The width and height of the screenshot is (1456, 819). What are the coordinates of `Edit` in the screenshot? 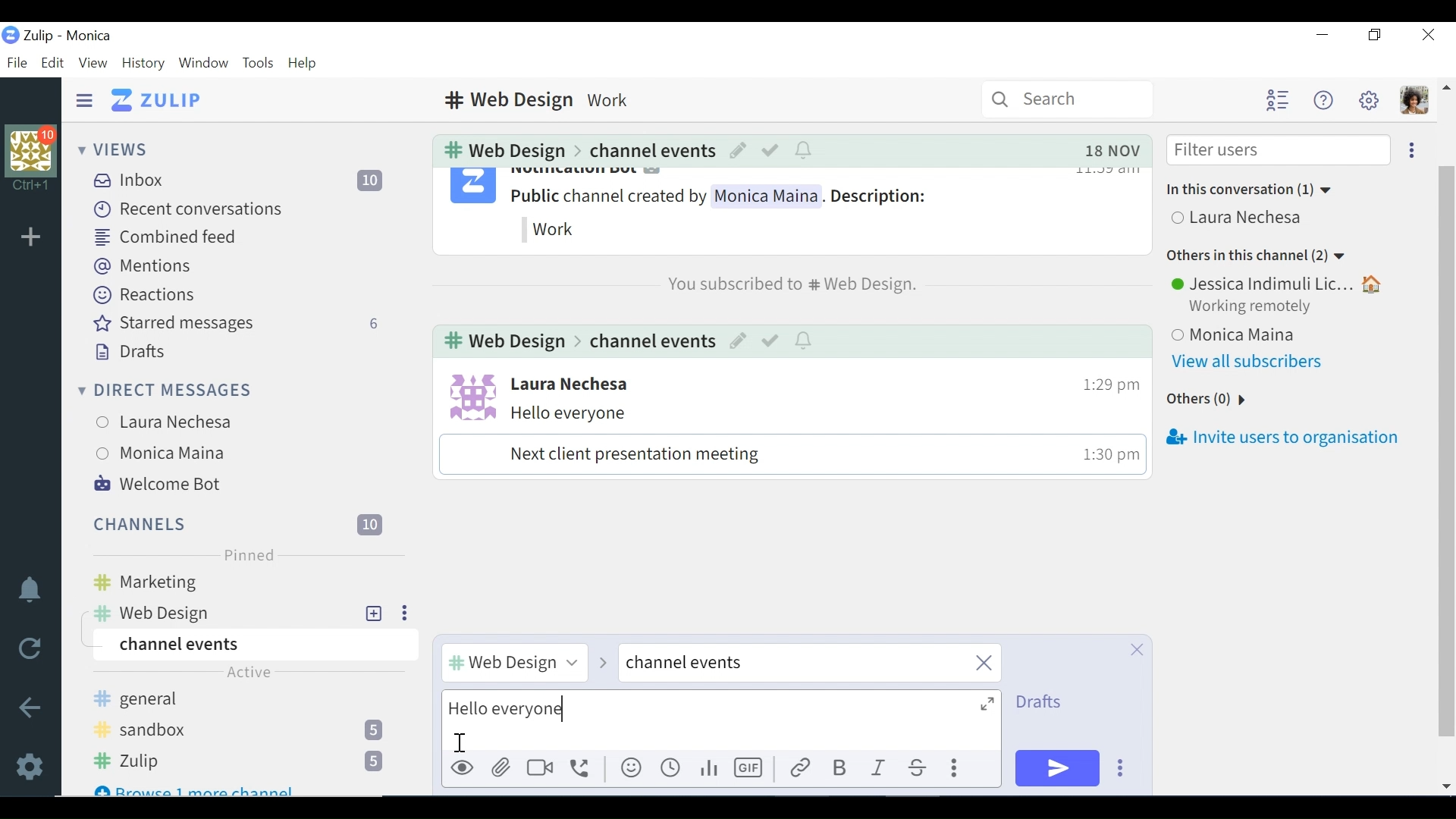 It's located at (52, 62).